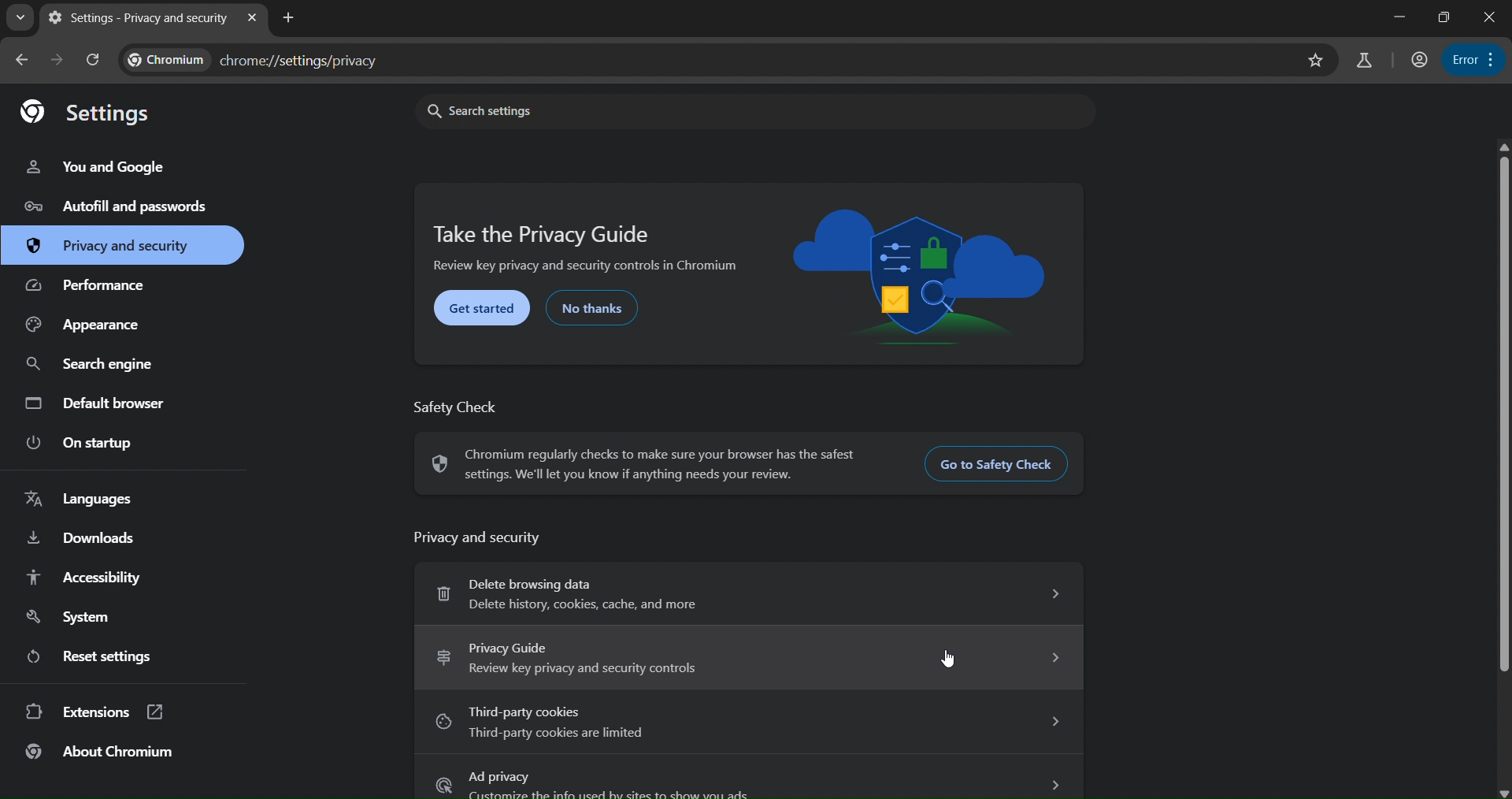 This screenshot has width=1512, height=799. What do you see at coordinates (109, 166) in the screenshot?
I see `you & google` at bounding box center [109, 166].